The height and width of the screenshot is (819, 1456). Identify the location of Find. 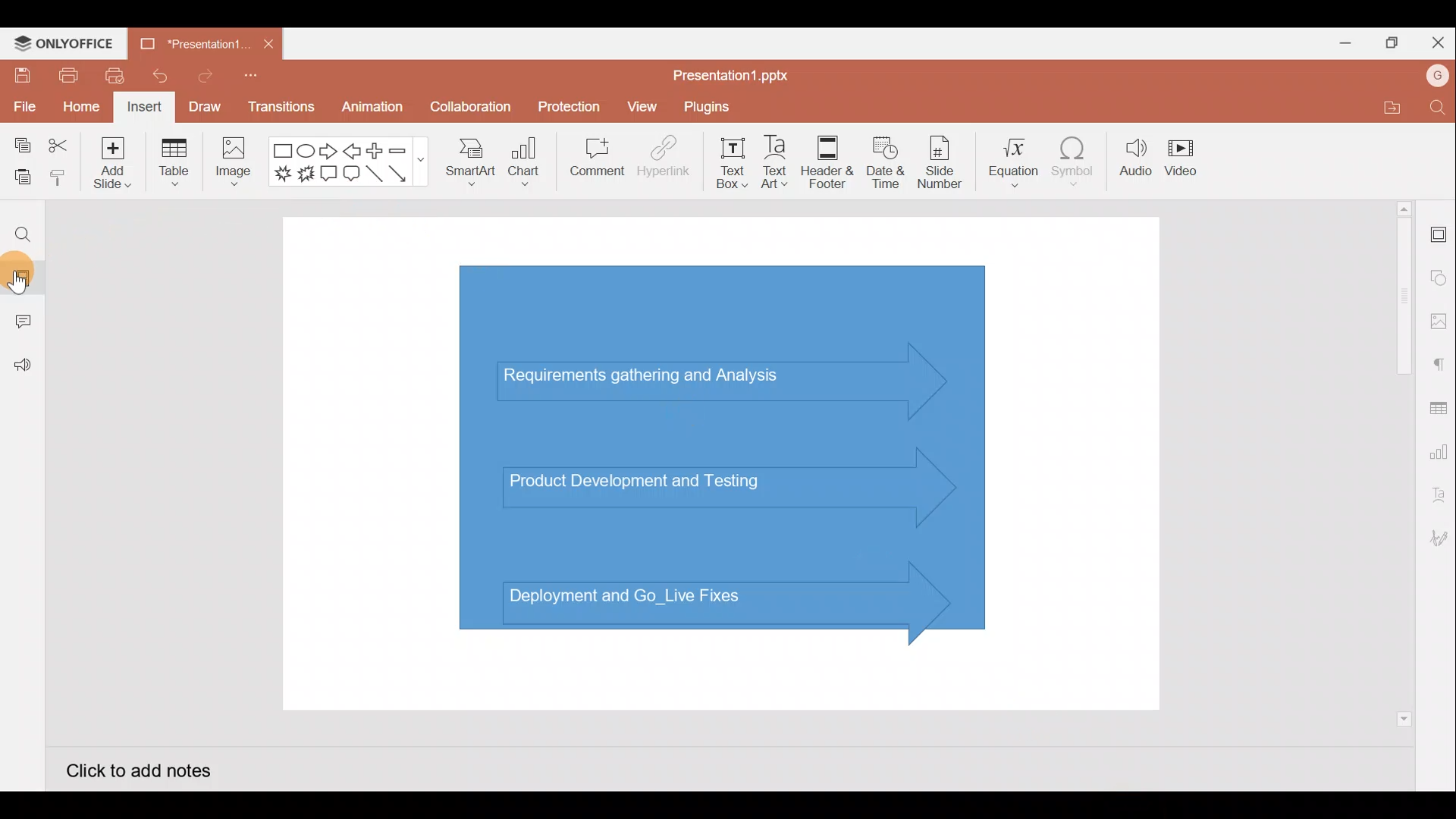
(1435, 108).